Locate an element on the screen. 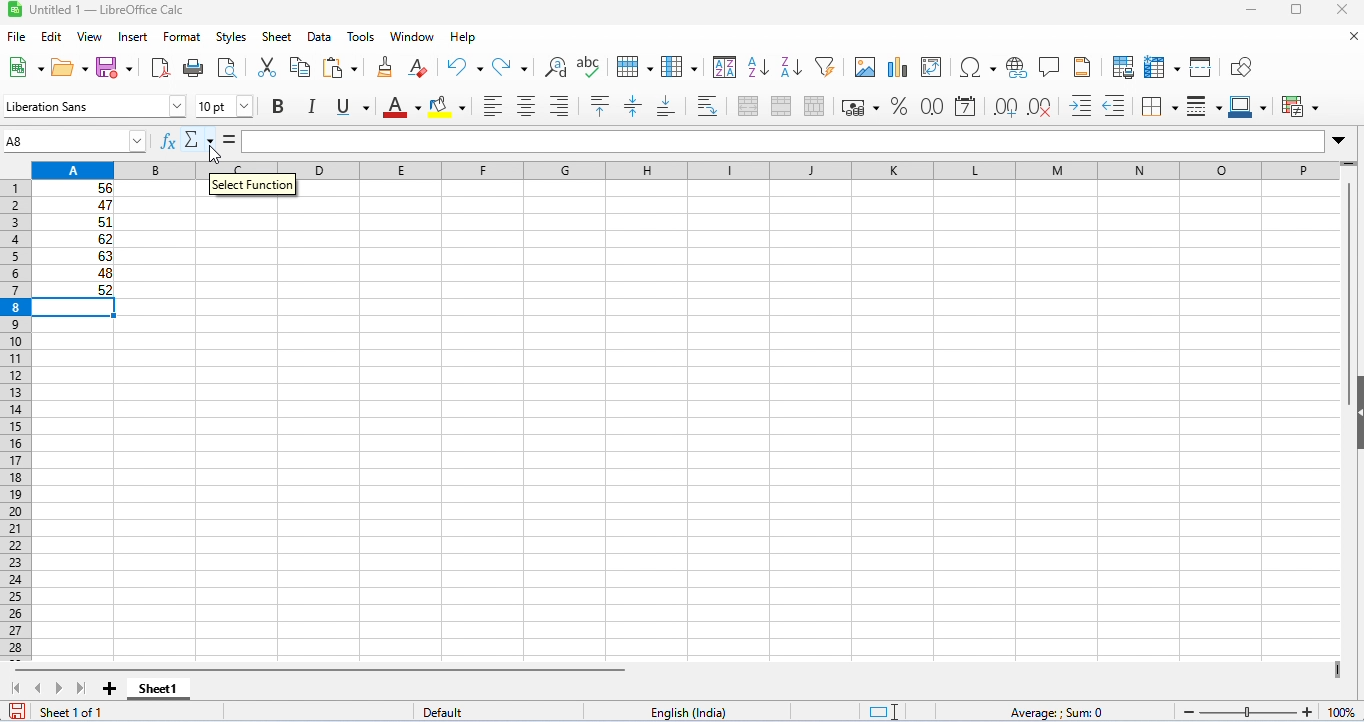 Image resolution: width=1364 pixels, height=722 pixels. maximize is located at coordinates (1296, 12).